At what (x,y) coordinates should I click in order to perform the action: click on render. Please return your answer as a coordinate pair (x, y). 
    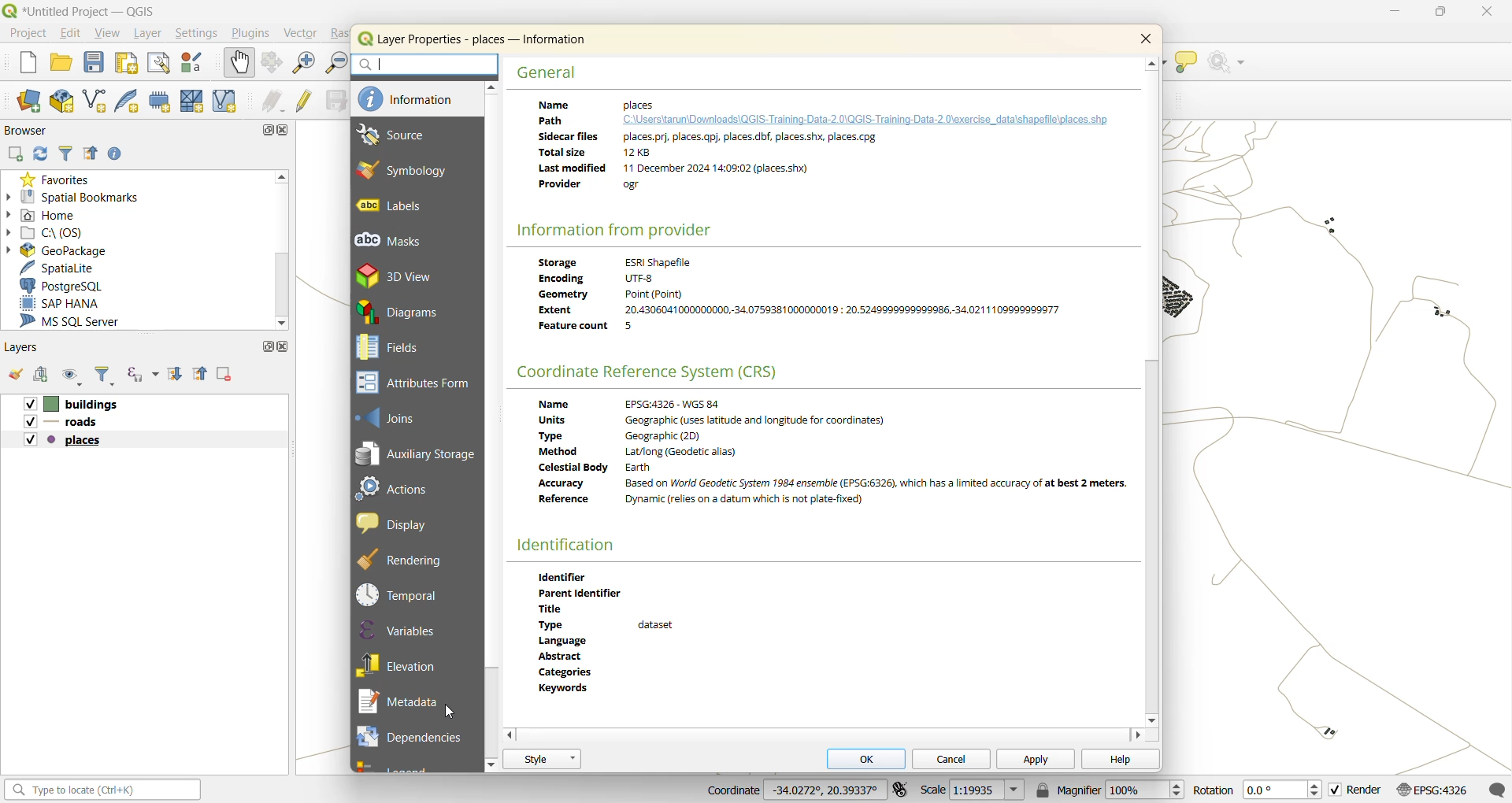
    Looking at the image, I should click on (1355, 790).